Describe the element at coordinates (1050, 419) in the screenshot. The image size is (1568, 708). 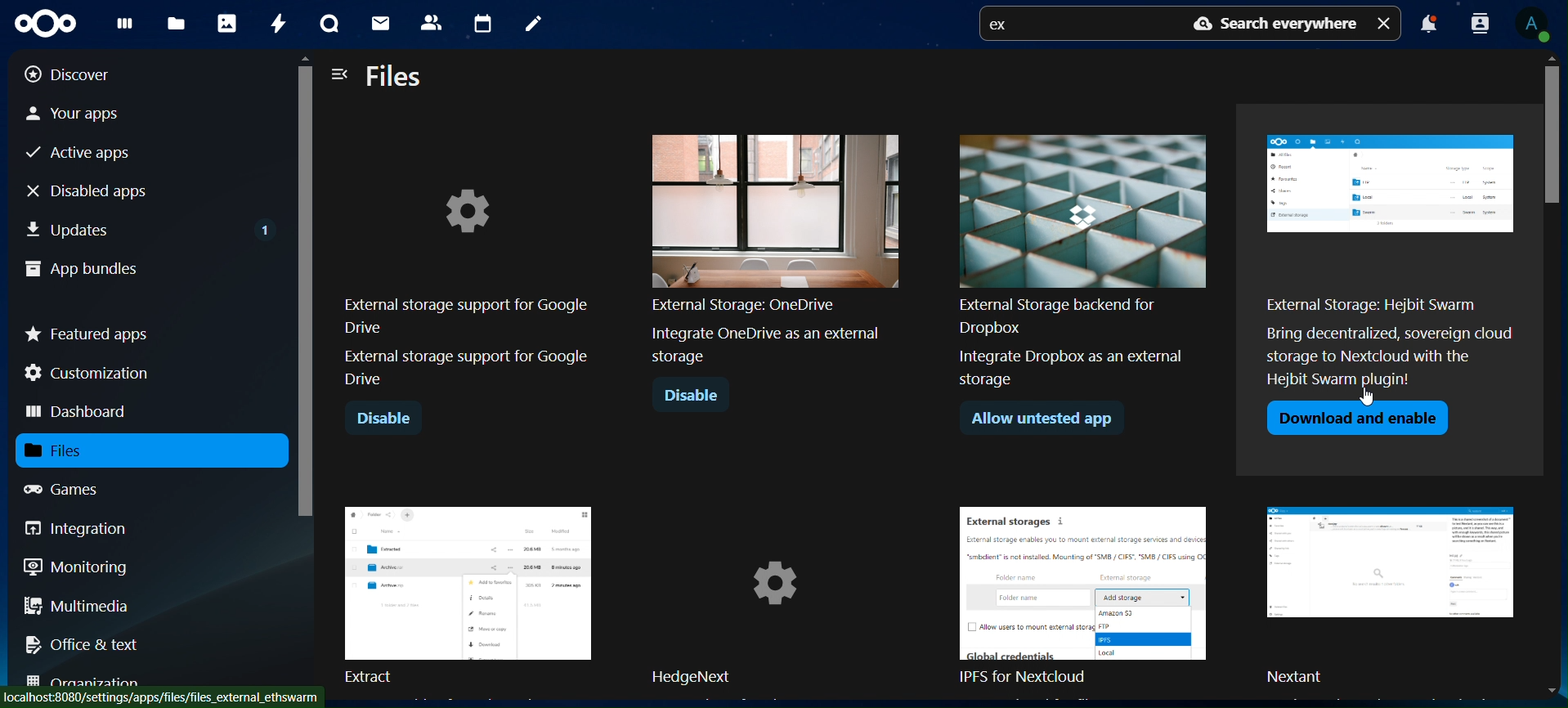
I see `download and enable` at that location.